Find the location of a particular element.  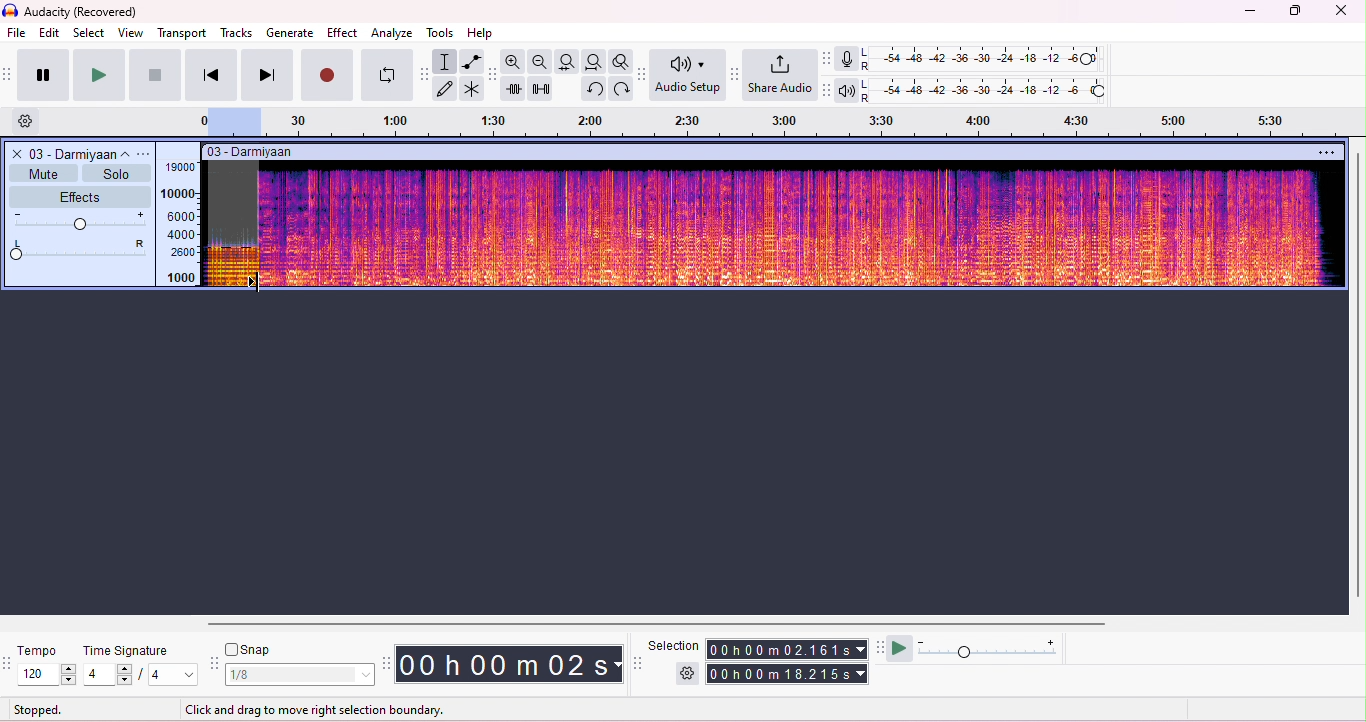

select is located at coordinates (91, 34).